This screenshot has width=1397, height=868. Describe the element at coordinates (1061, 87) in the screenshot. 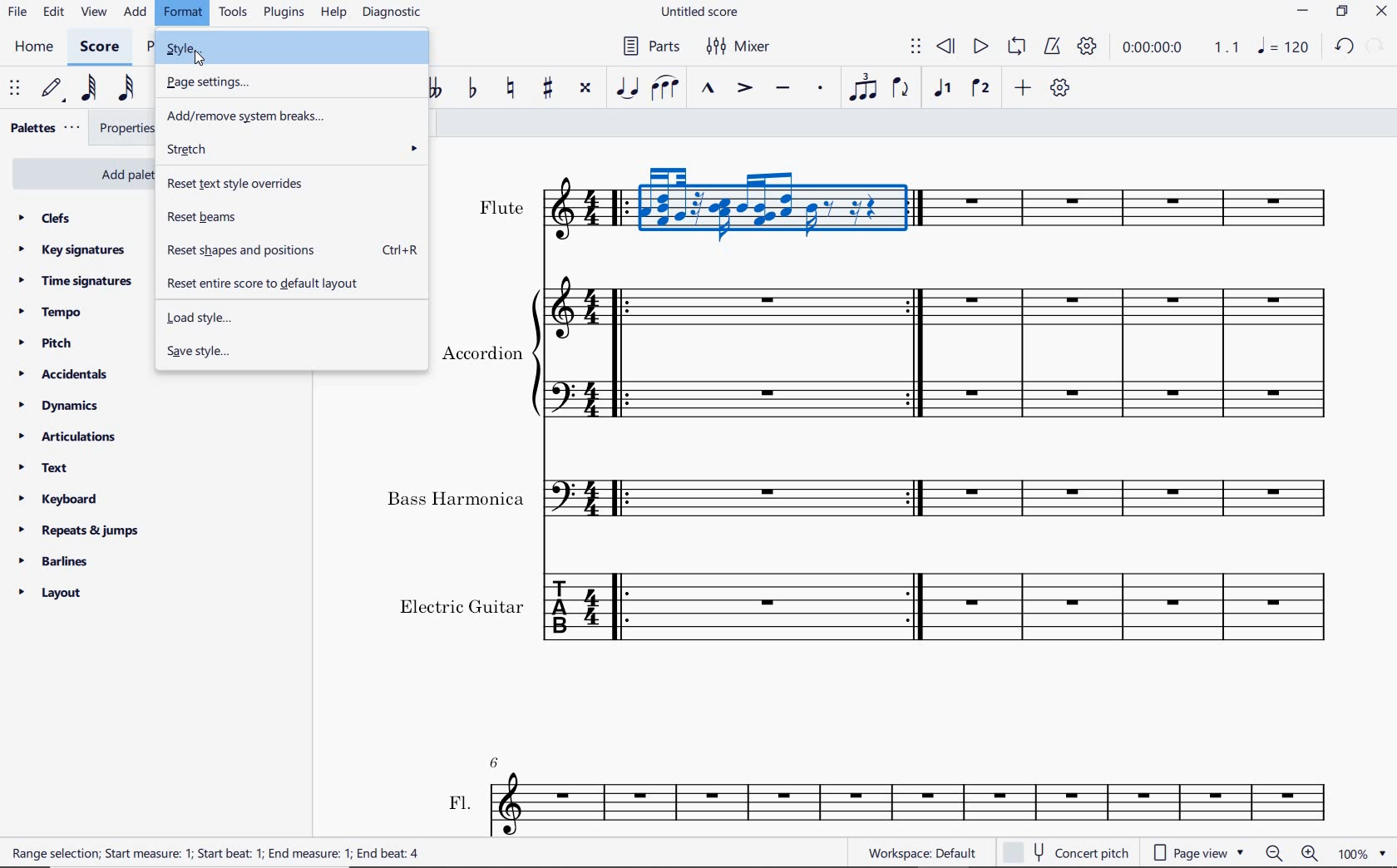

I see `customize toolbar` at that location.